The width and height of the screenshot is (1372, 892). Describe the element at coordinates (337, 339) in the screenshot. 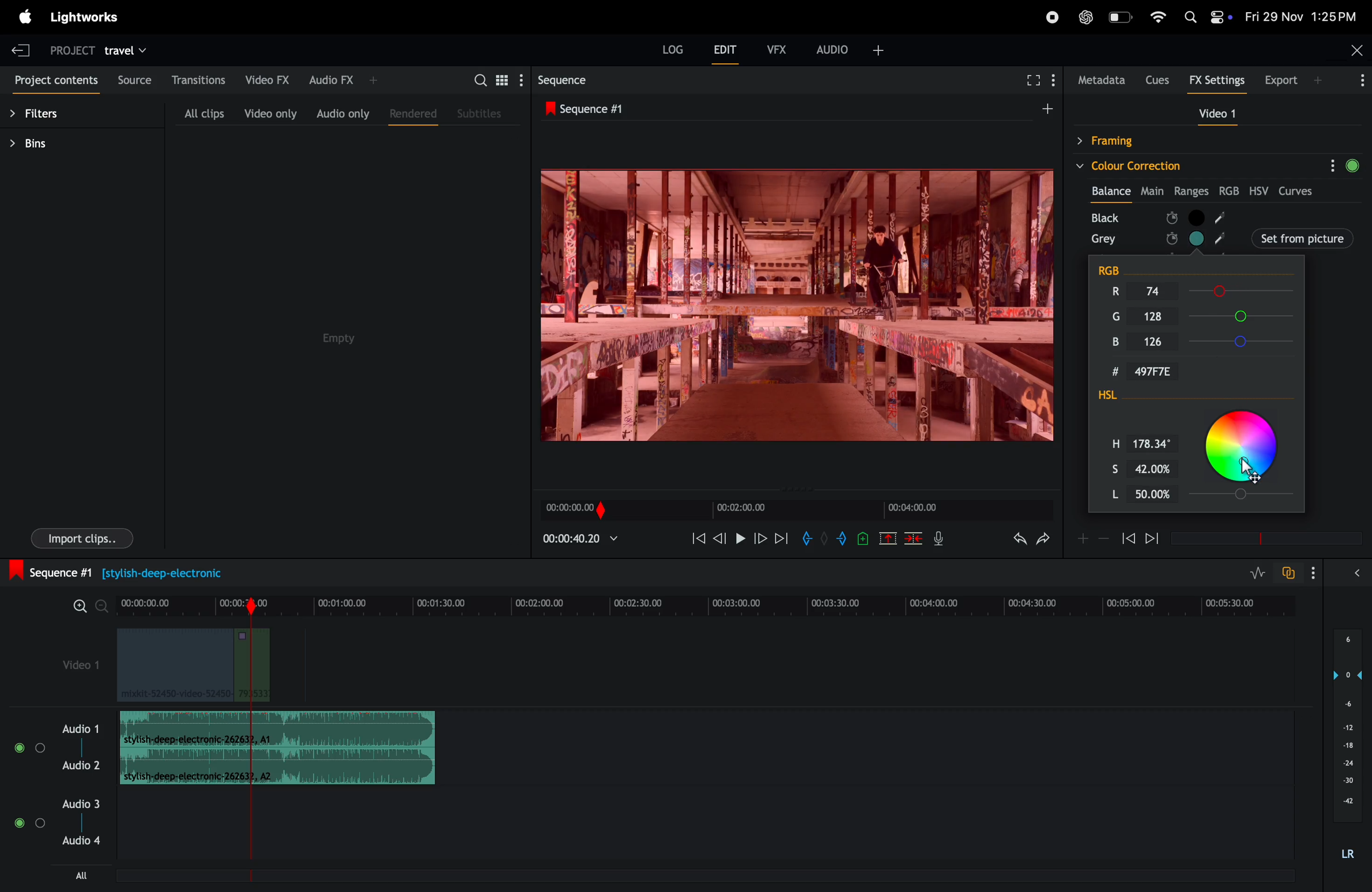

I see `empty` at that location.